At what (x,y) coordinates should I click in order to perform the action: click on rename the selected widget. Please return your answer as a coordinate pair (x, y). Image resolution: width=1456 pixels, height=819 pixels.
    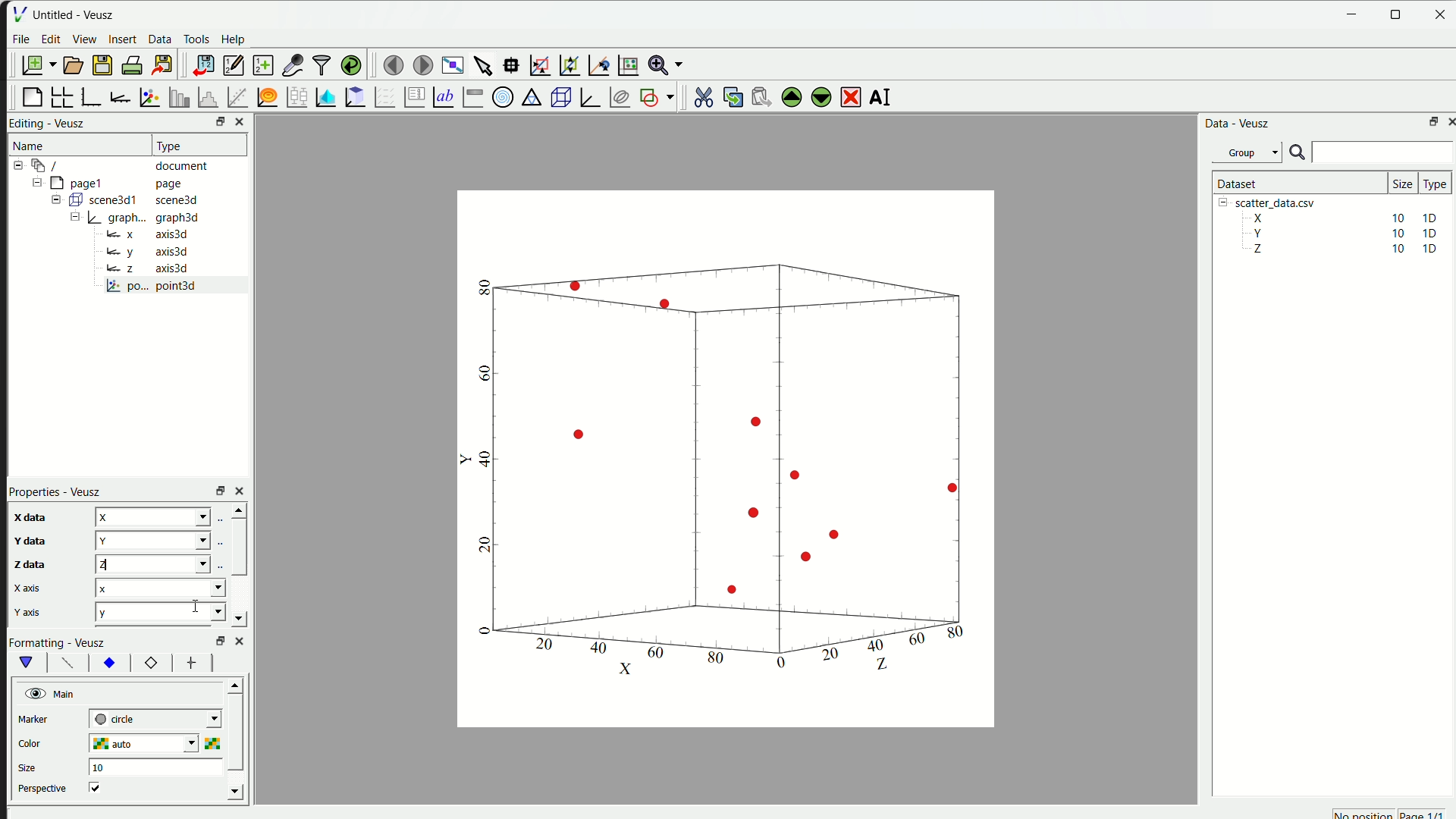
    Looking at the image, I should click on (880, 96).